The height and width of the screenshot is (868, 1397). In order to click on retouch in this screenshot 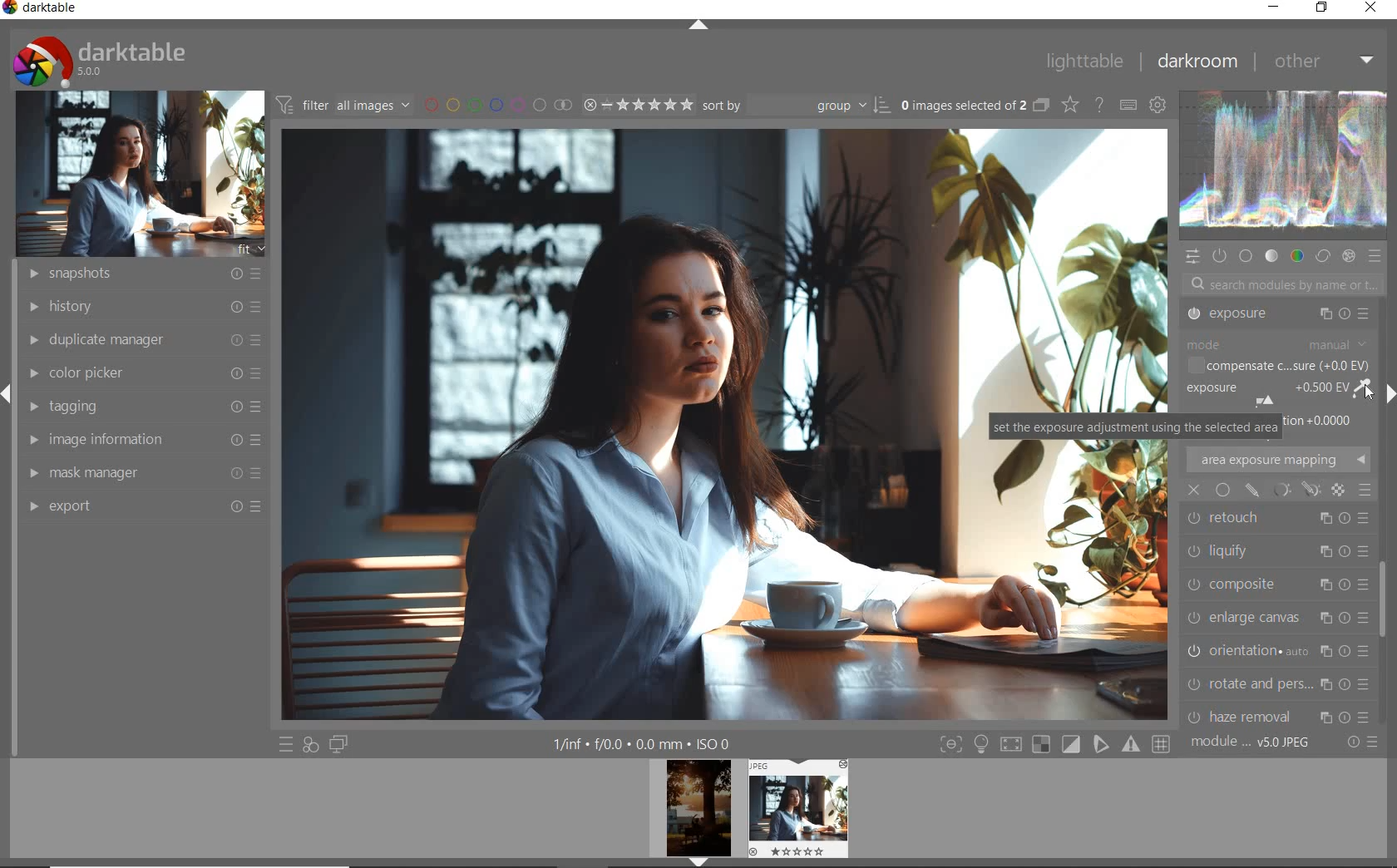, I will do `click(1264, 515)`.